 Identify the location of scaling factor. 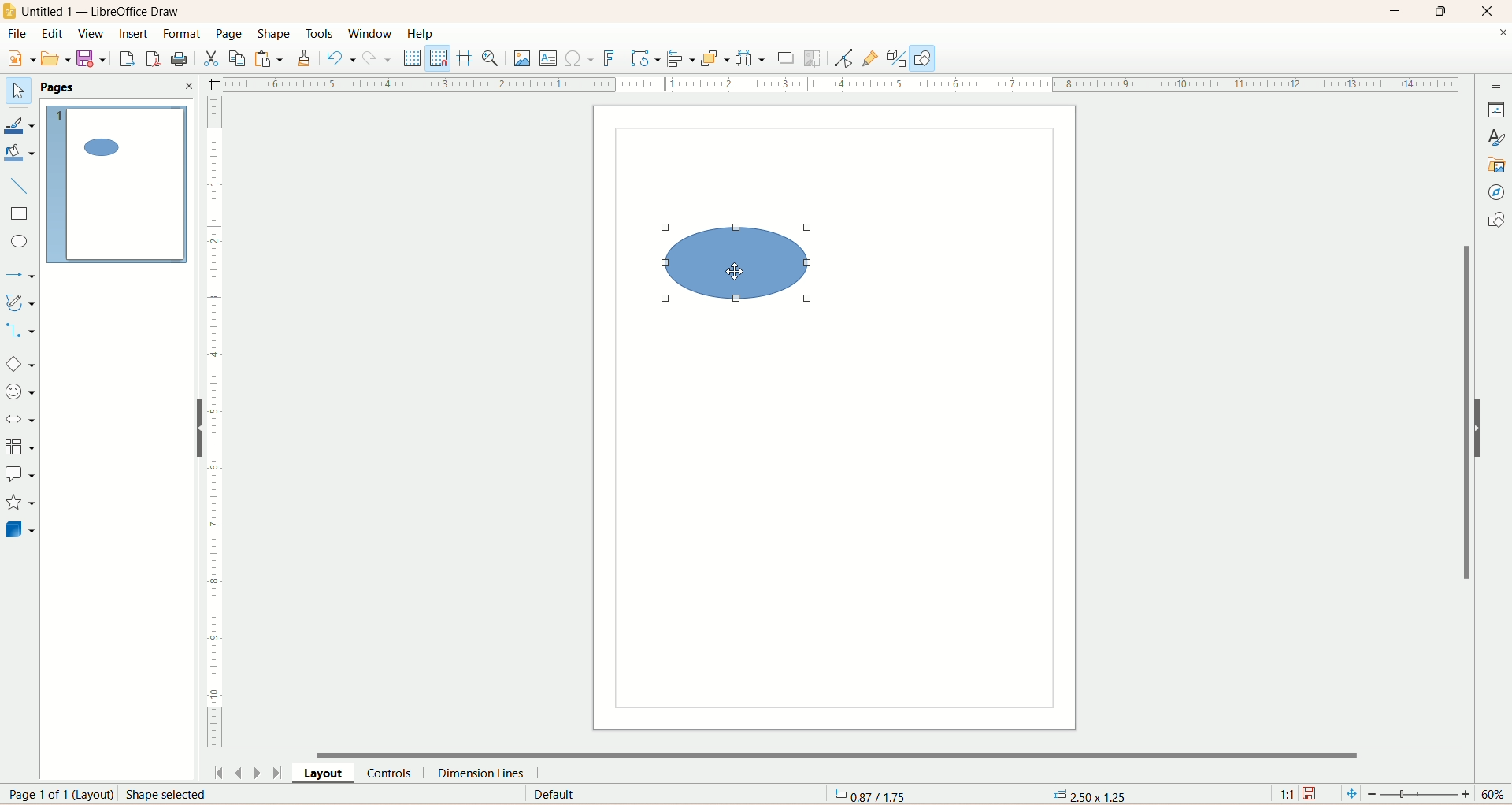
(1289, 792).